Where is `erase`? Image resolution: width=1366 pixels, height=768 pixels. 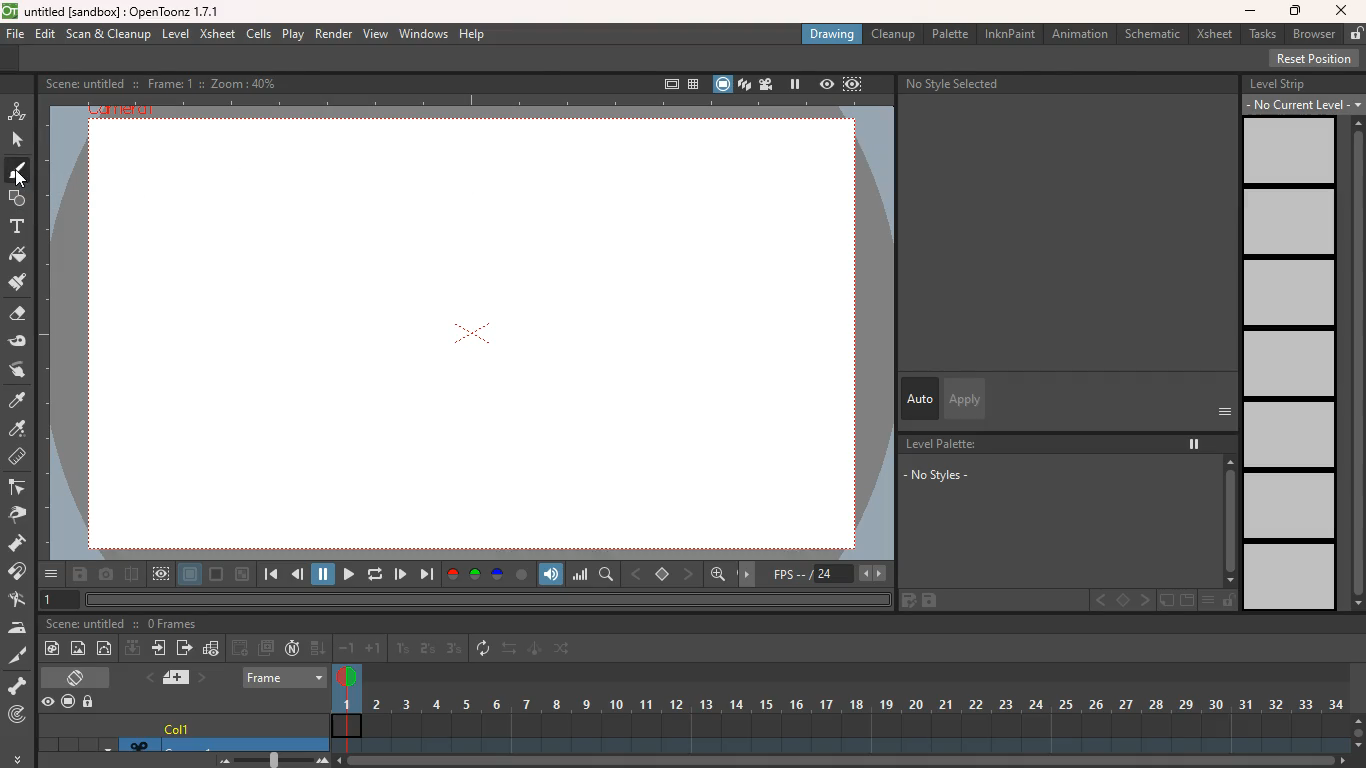
erase is located at coordinates (19, 318).